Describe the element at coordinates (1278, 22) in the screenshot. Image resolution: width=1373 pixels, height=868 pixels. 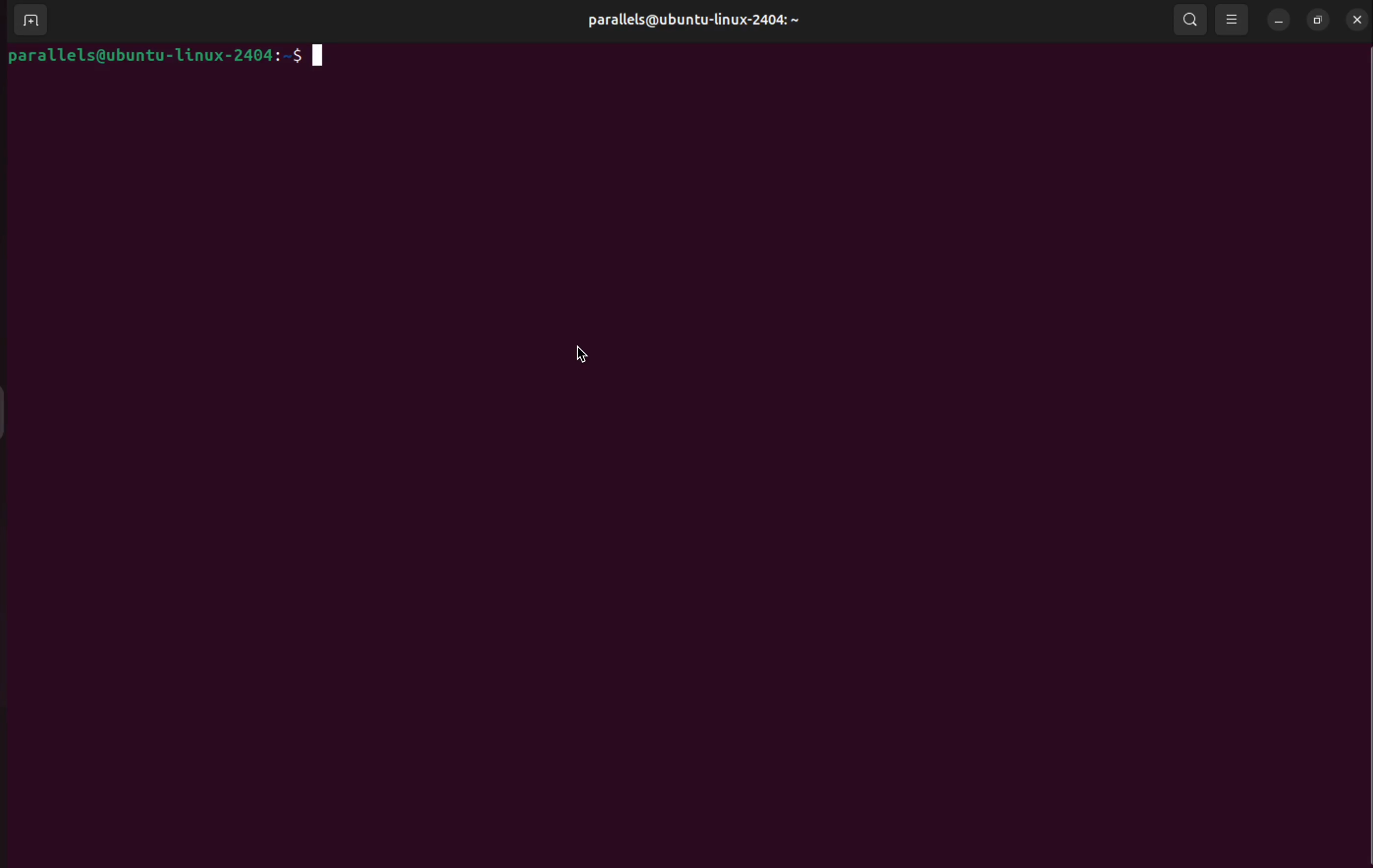
I see `minimize` at that location.